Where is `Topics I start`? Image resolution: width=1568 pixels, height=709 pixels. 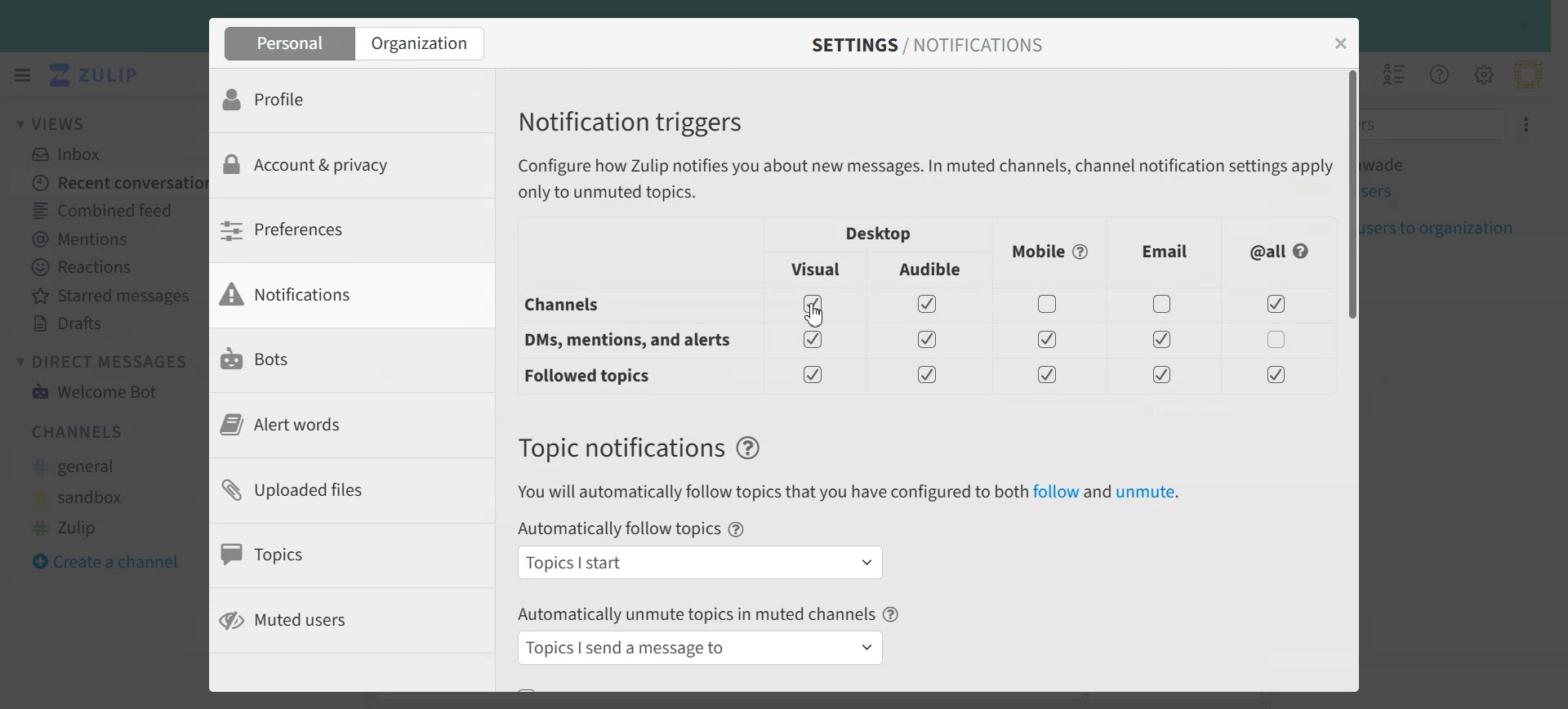 Topics I start is located at coordinates (701, 562).